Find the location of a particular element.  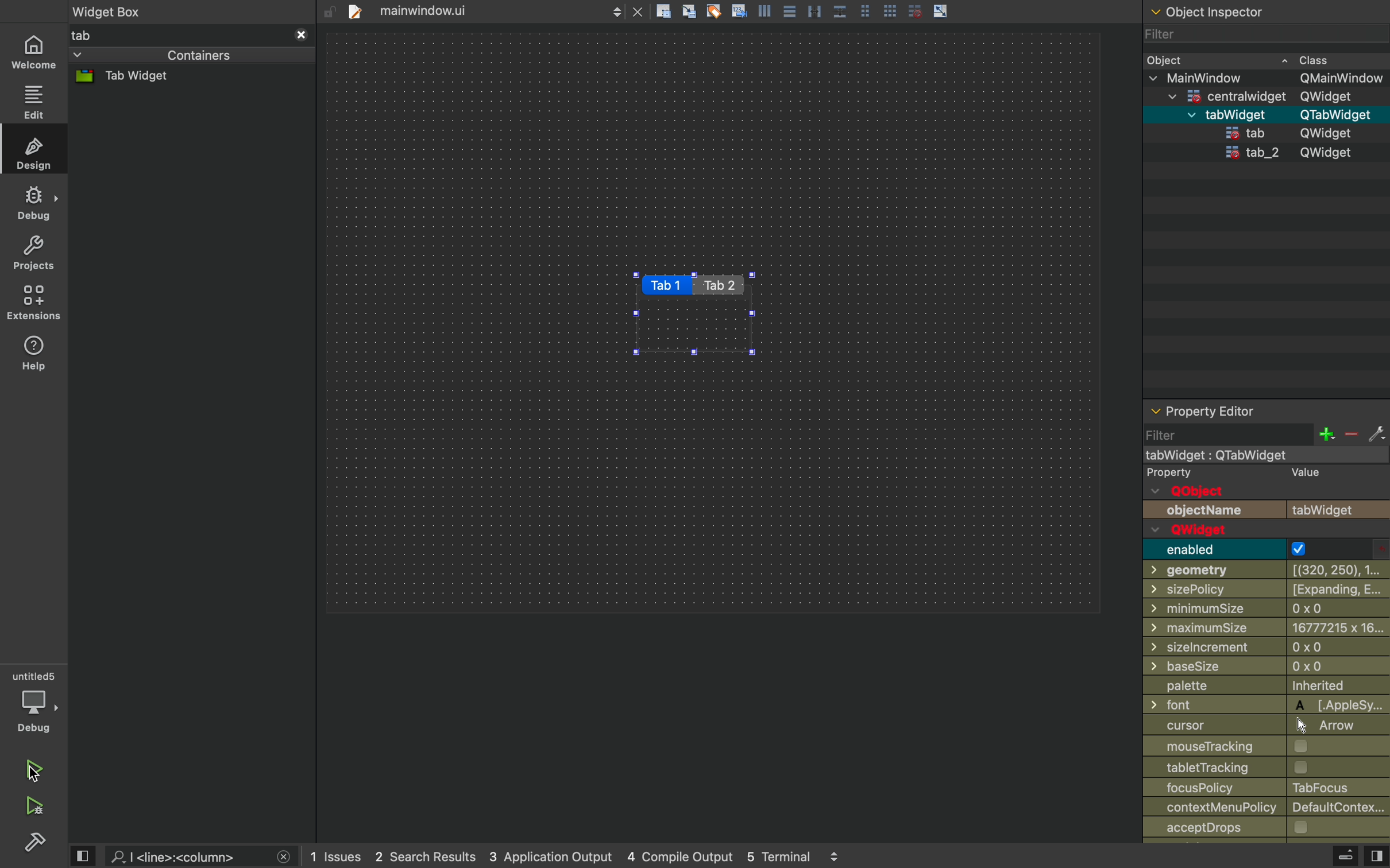

tab2 qwidget is located at coordinates (1292, 153).